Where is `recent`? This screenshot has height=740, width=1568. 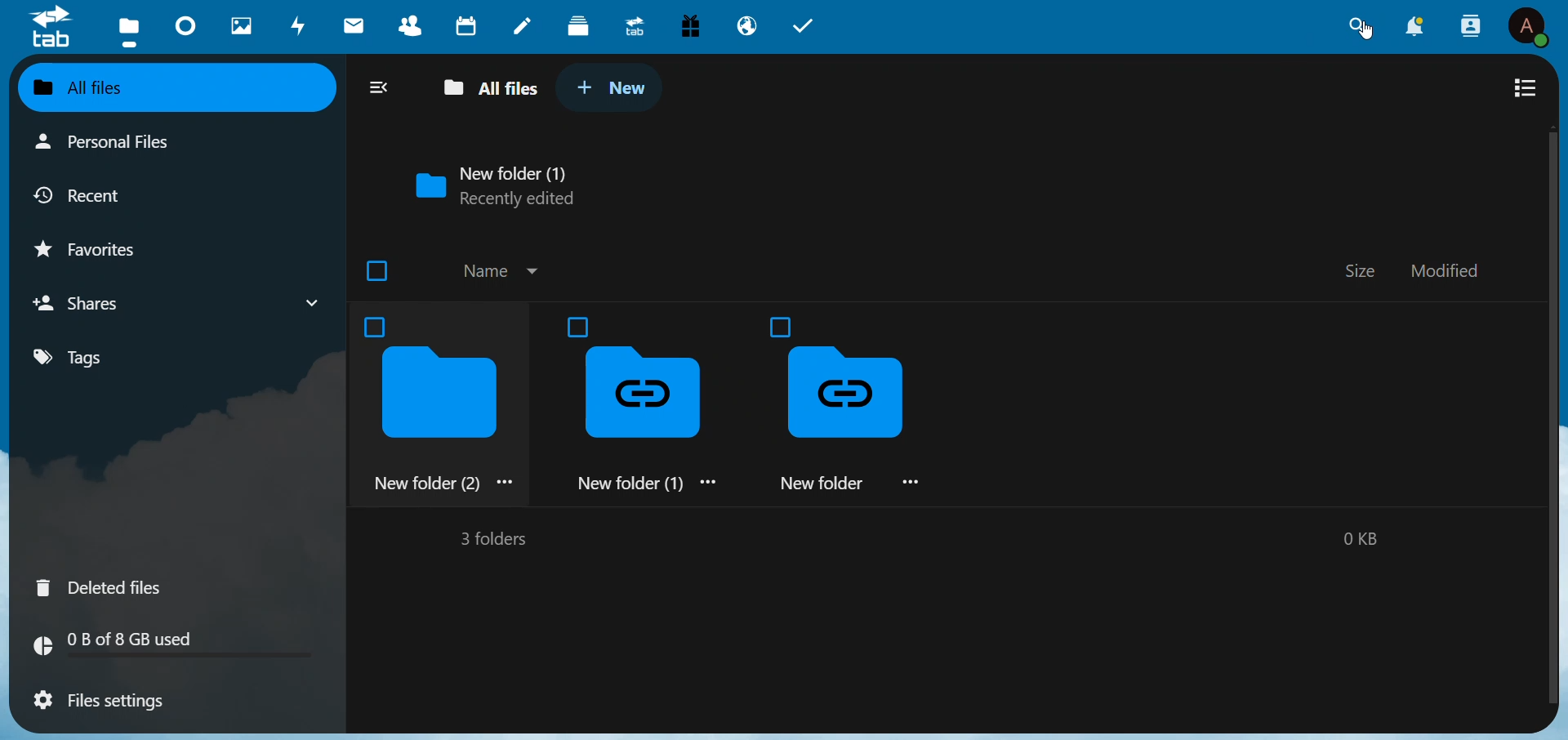 recent is located at coordinates (91, 194).